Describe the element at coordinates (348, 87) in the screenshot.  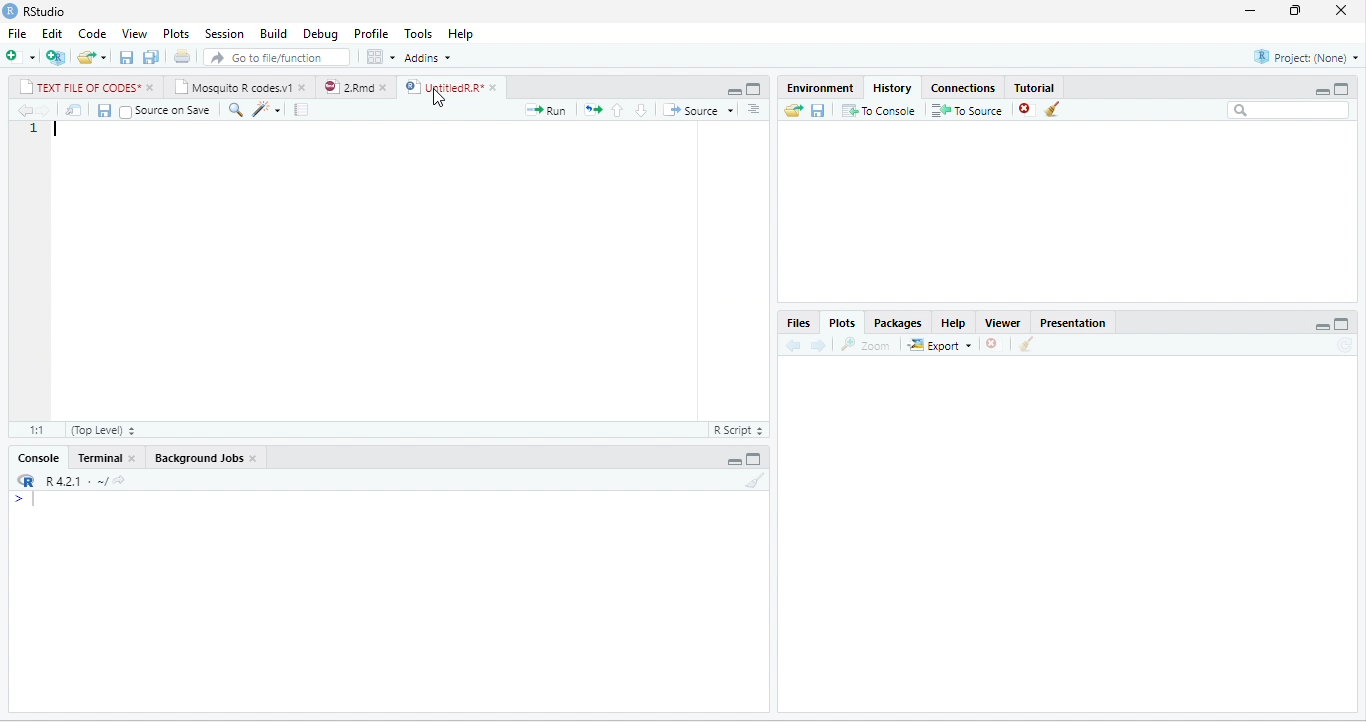
I see `2.Rmd` at that location.